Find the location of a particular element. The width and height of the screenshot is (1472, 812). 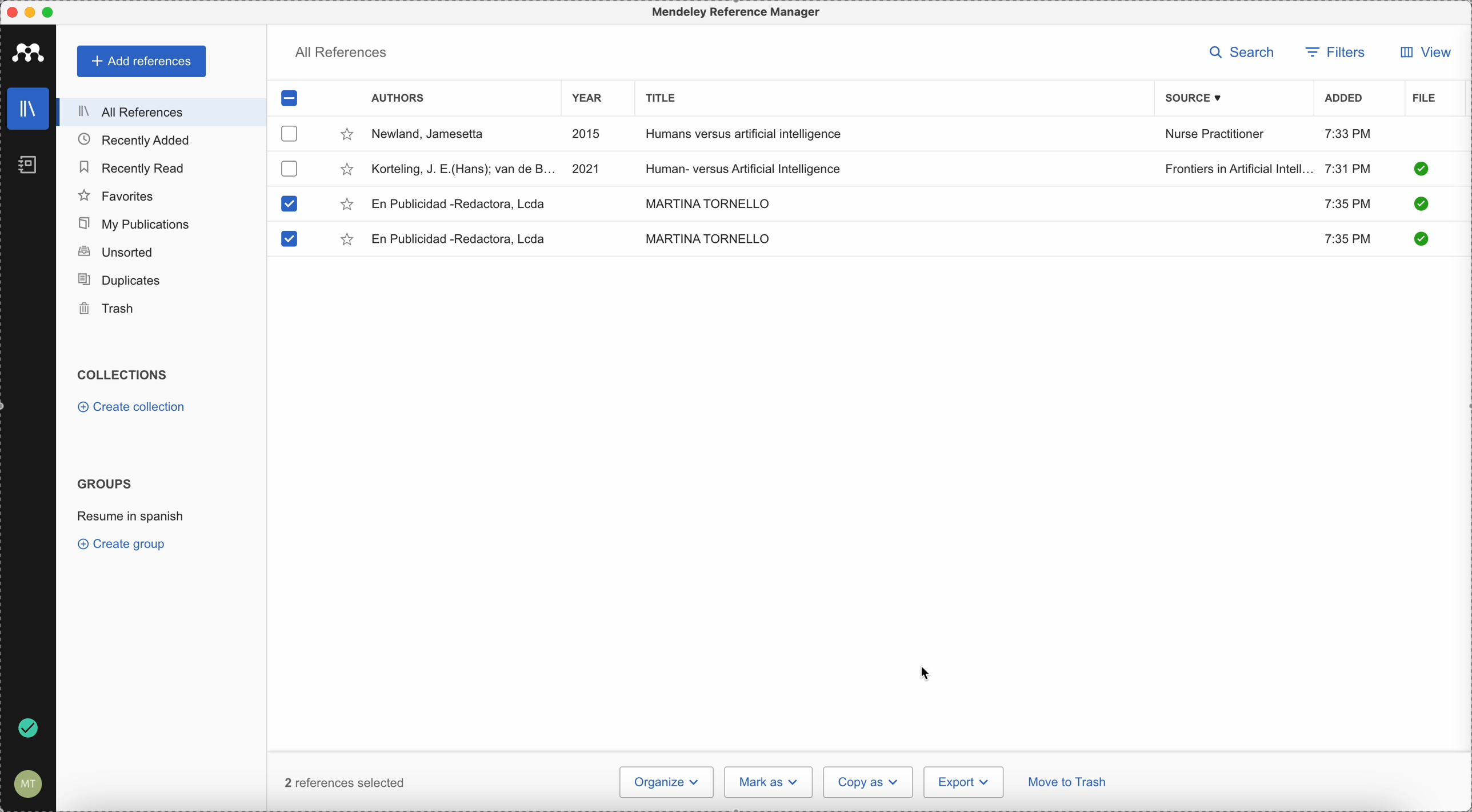

notebooks is located at coordinates (30, 168).